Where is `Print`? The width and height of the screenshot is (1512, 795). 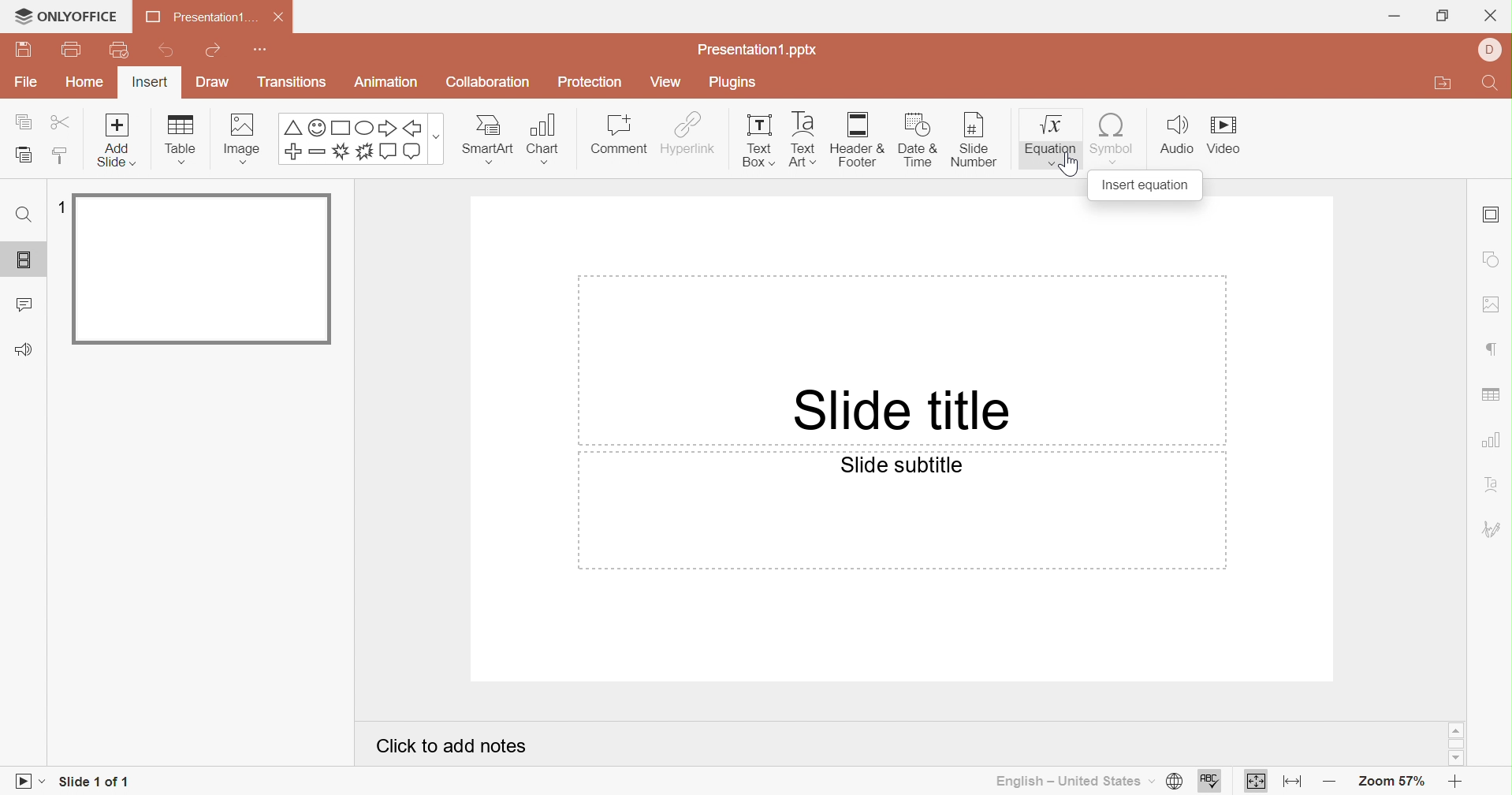
Print is located at coordinates (73, 52).